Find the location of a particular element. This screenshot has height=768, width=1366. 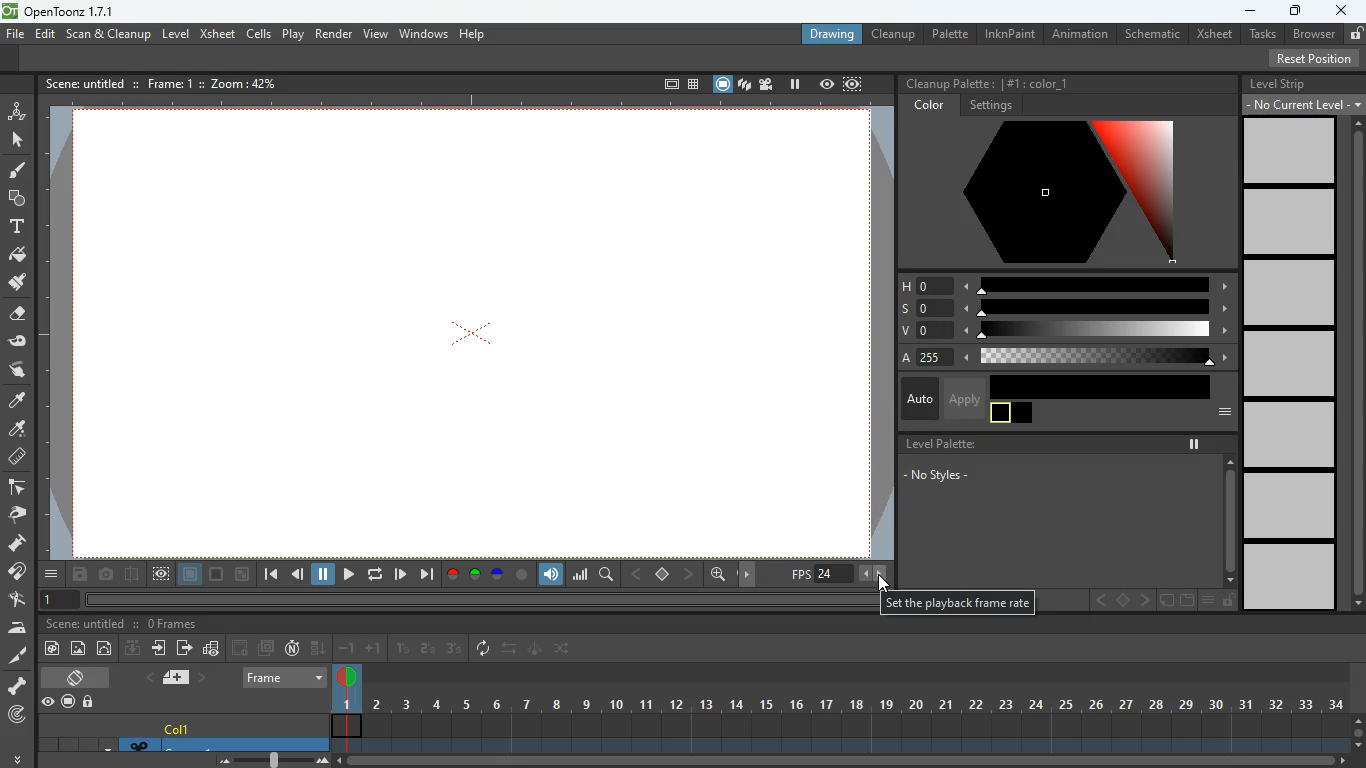

brush is located at coordinates (16, 283).